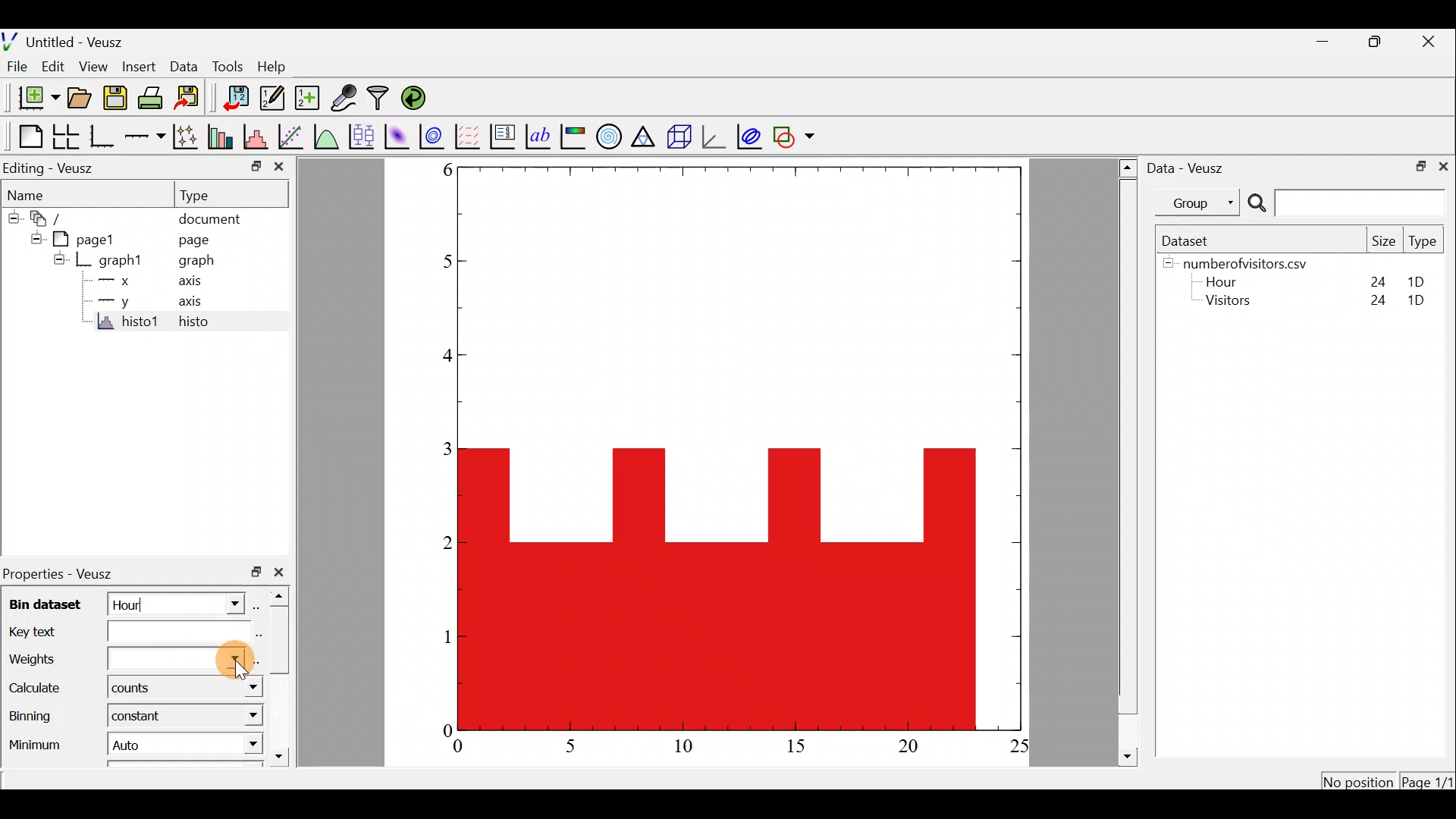 The height and width of the screenshot is (819, 1456). Describe the element at coordinates (399, 135) in the screenshot. I see `plot a 2d dataset as an image` at that location.